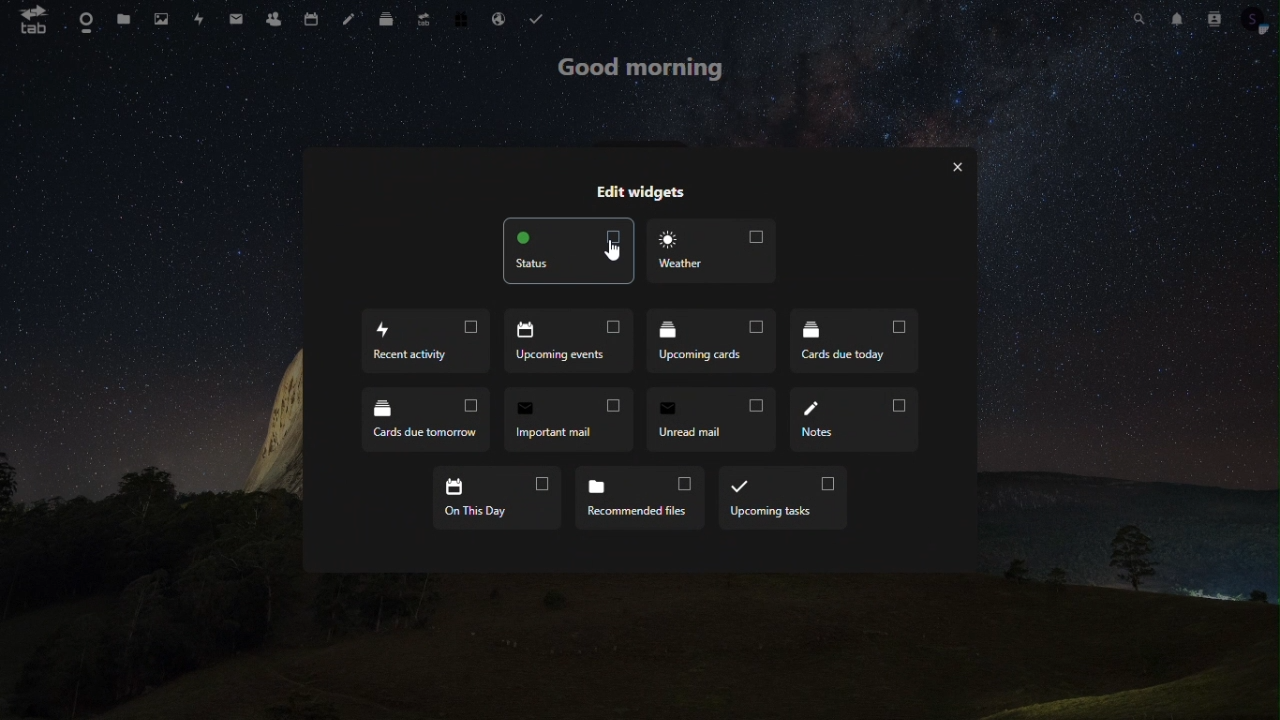 This screenshot has width=1280, height=720. I want to click on cards due today, so click(858, 344).